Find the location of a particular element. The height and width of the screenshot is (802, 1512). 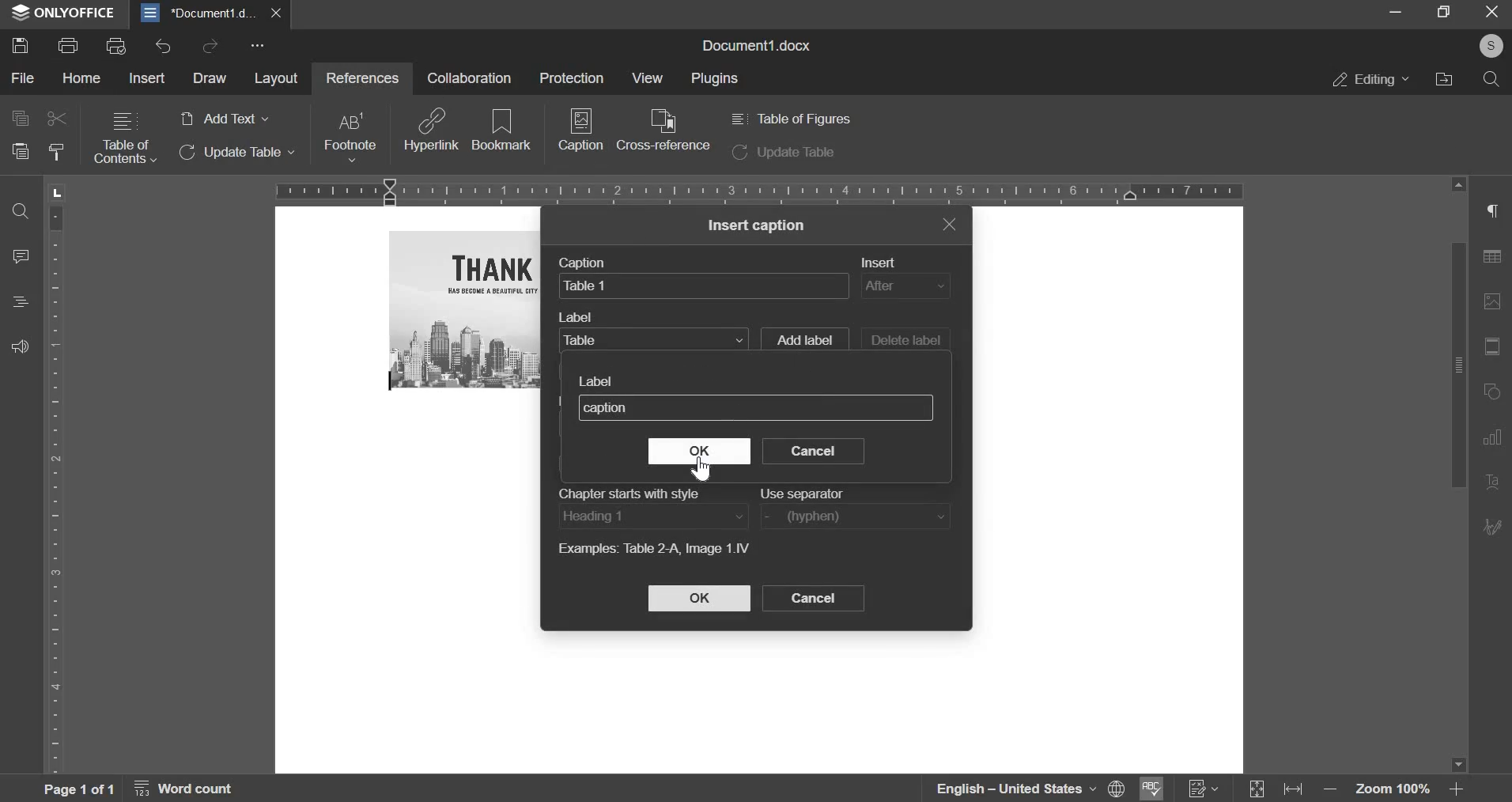

Edit is located at coordinates (1494, 525).